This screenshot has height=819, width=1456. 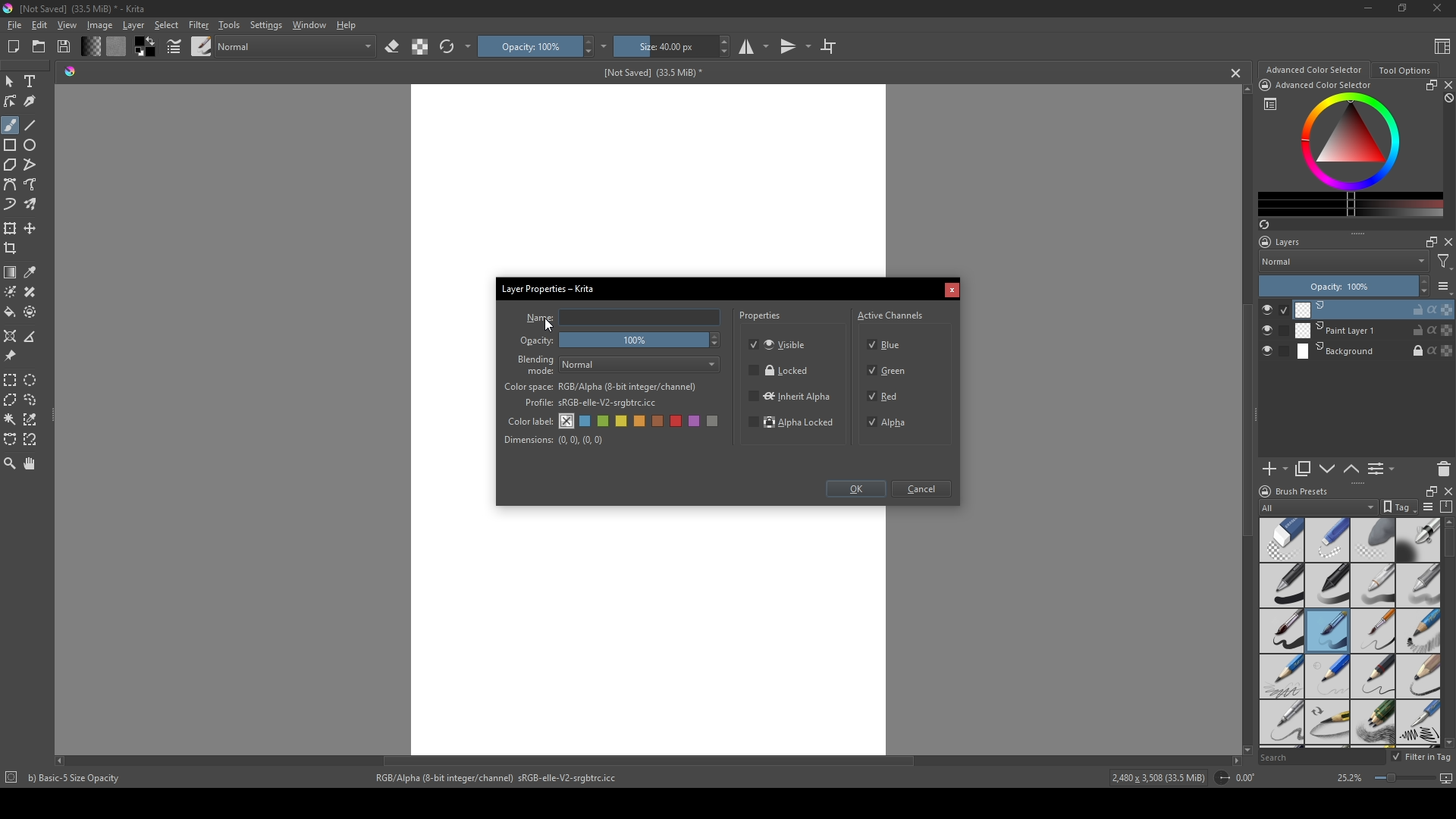 I want to click on assistant, so click(x=11, y=335).